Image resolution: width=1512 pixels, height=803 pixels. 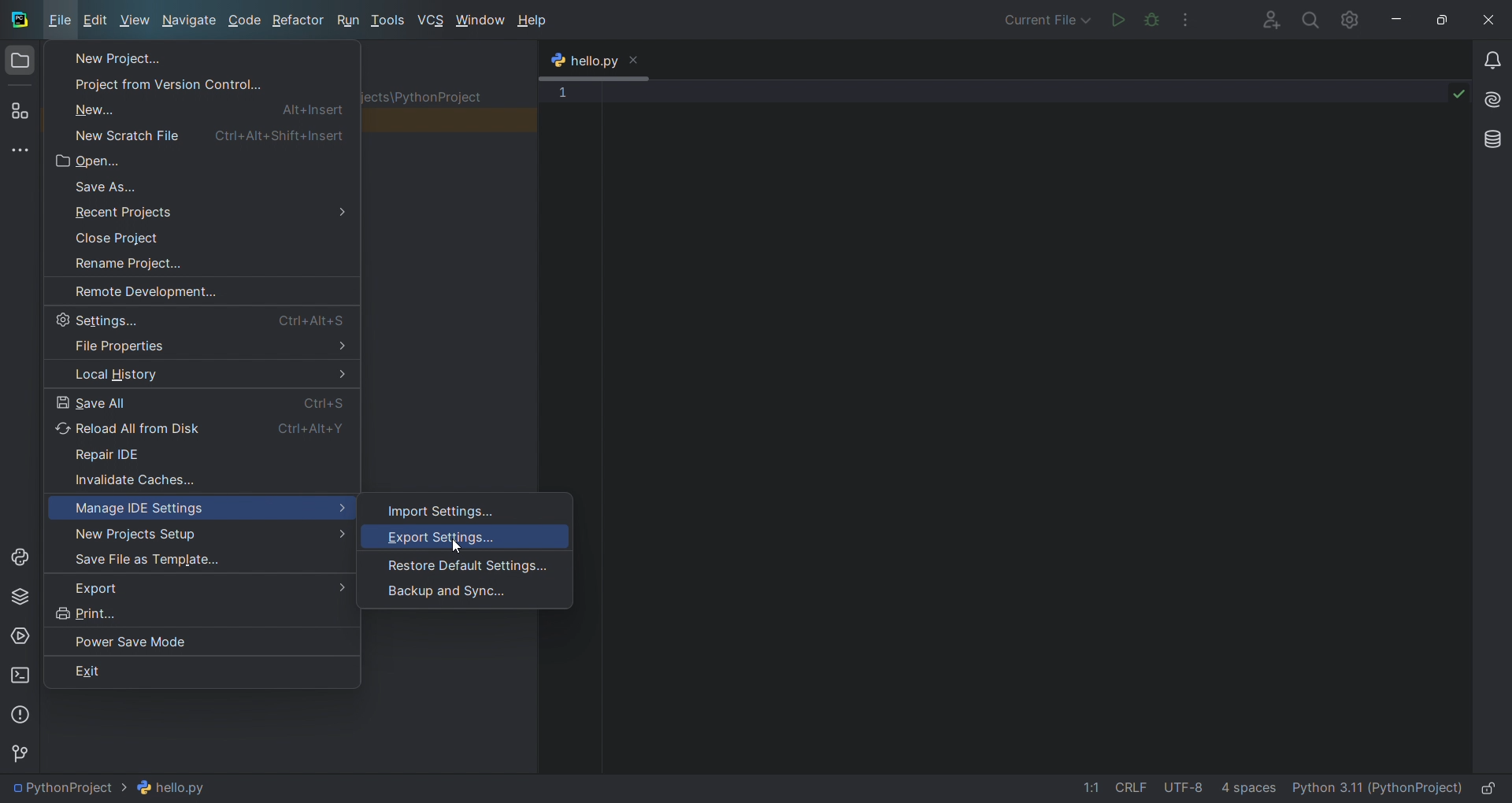 What do you see at coordinates (202, 160) in the screenshot?
I see `open` at bounding box center [202, 160].